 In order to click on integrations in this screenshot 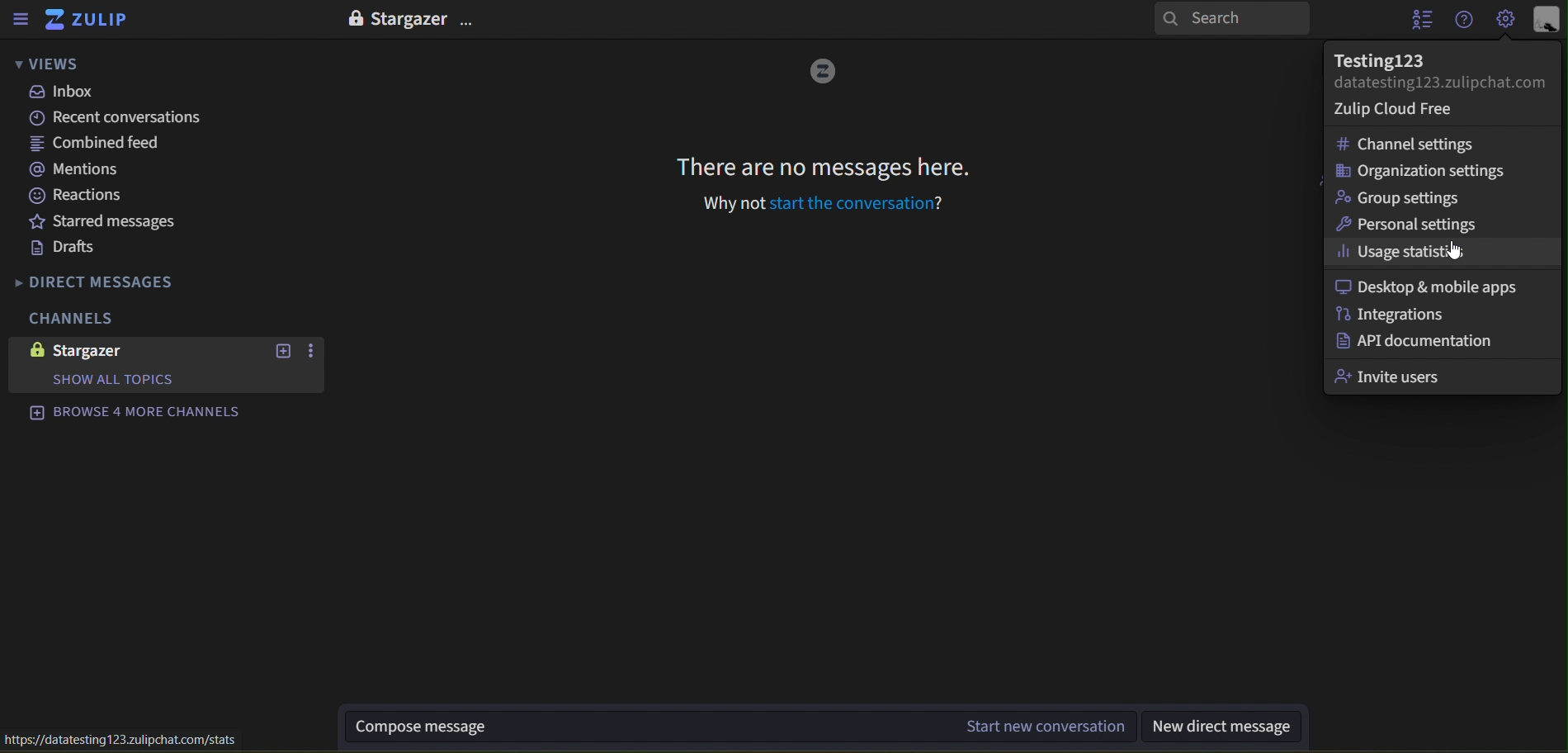, I will do `click(1396, 315)`.